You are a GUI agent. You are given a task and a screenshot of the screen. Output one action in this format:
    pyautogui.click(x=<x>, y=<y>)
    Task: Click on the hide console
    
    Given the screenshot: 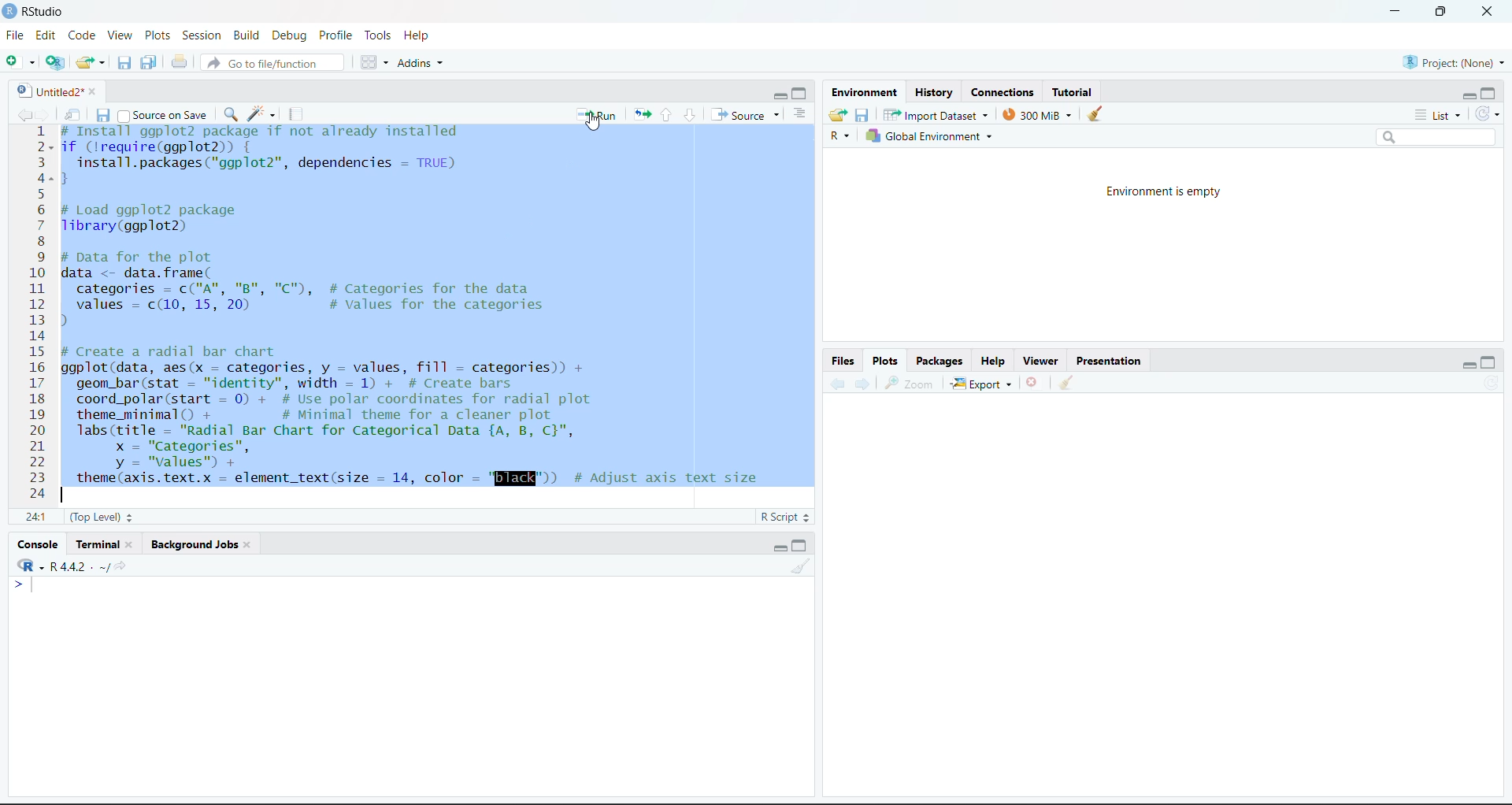 What is the action you would take?
    pyautogui.click(x=1492, y=363)
    